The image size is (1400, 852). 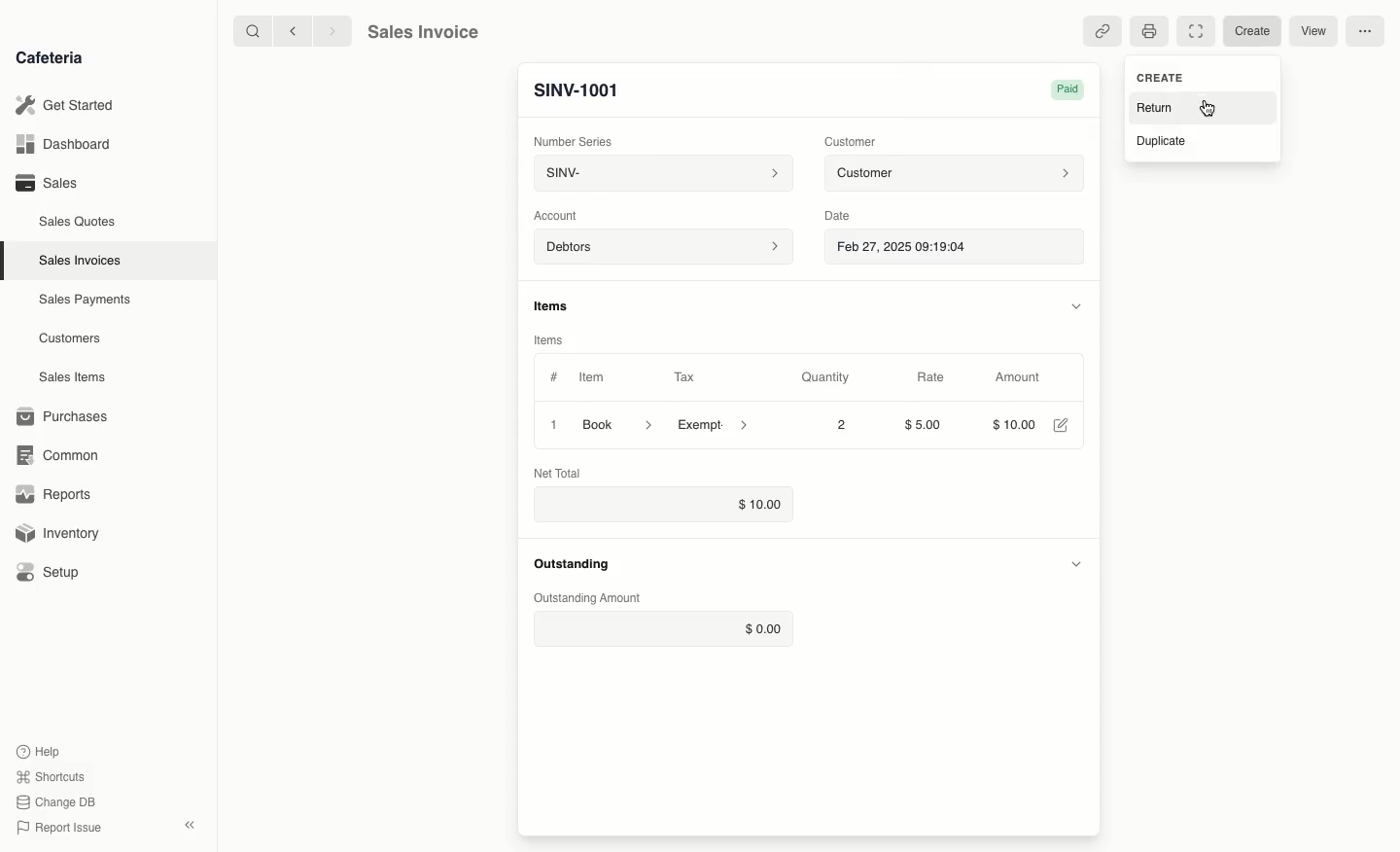 What do you see at coordinates (577, 90) in the screenshot?
I see `SINV-1001` at bounding box center [577, 90].